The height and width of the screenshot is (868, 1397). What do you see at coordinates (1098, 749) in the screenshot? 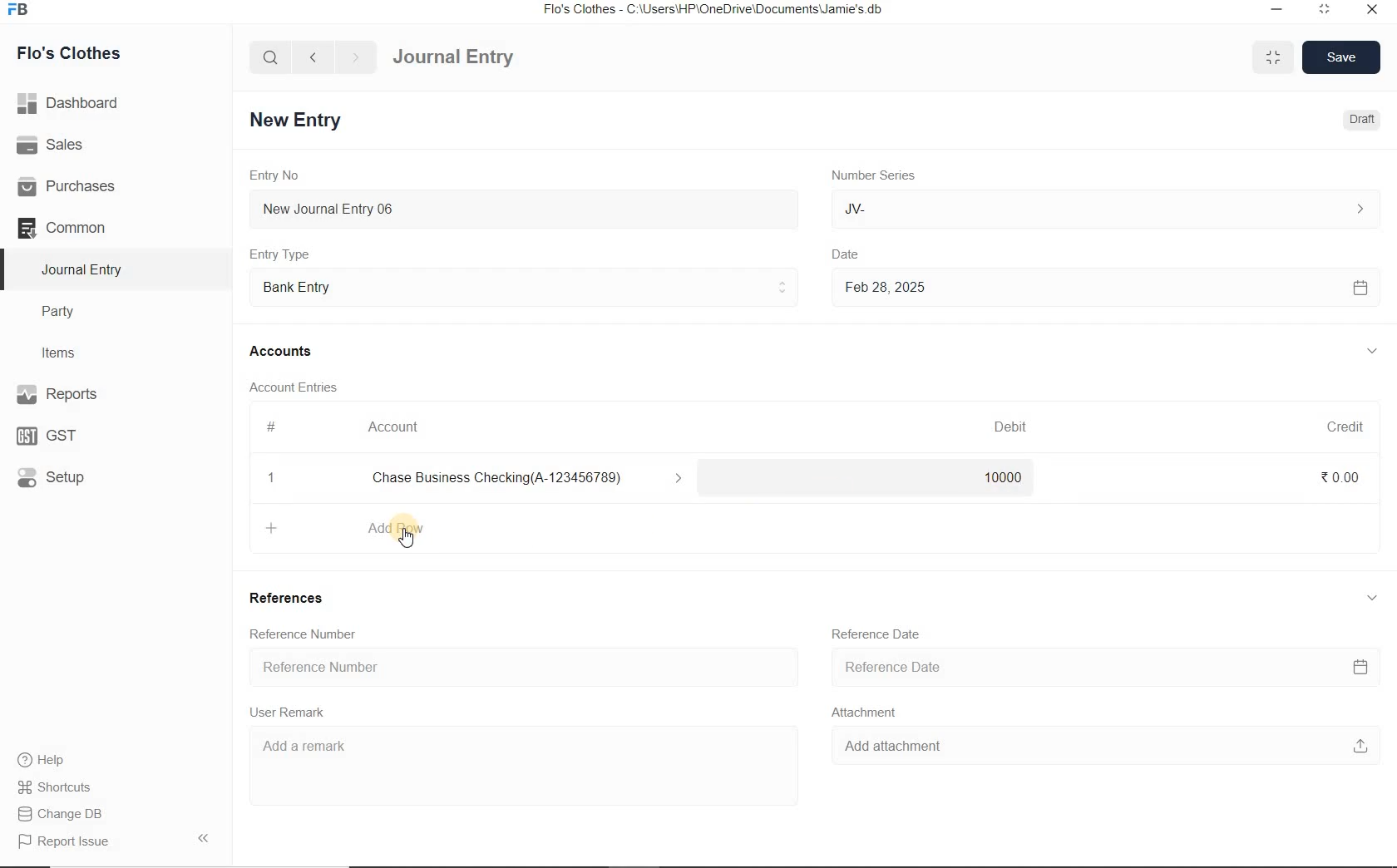
I see `Add attachment` at bounding box center [1098, 749].